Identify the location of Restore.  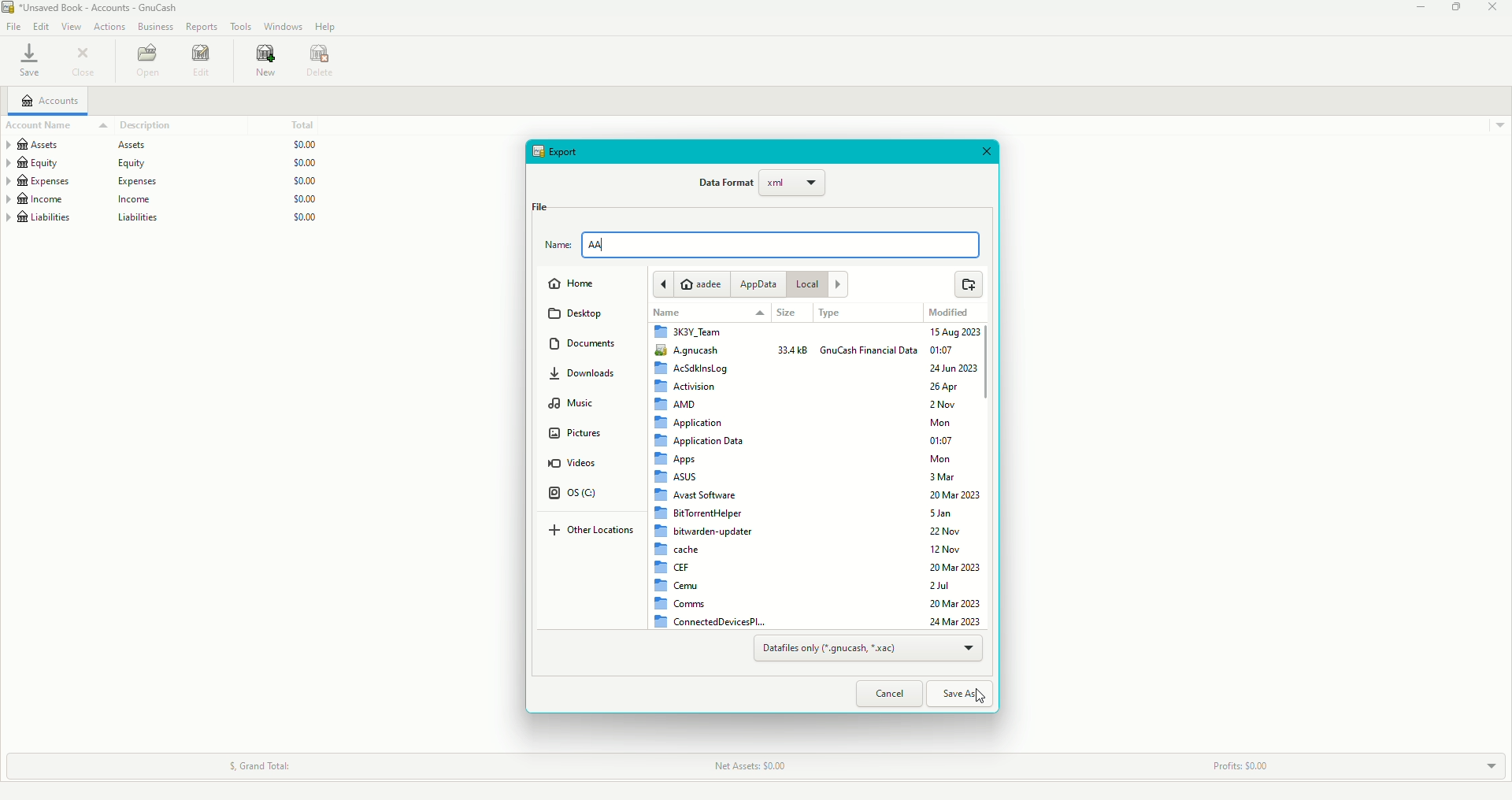
(1455, 8).